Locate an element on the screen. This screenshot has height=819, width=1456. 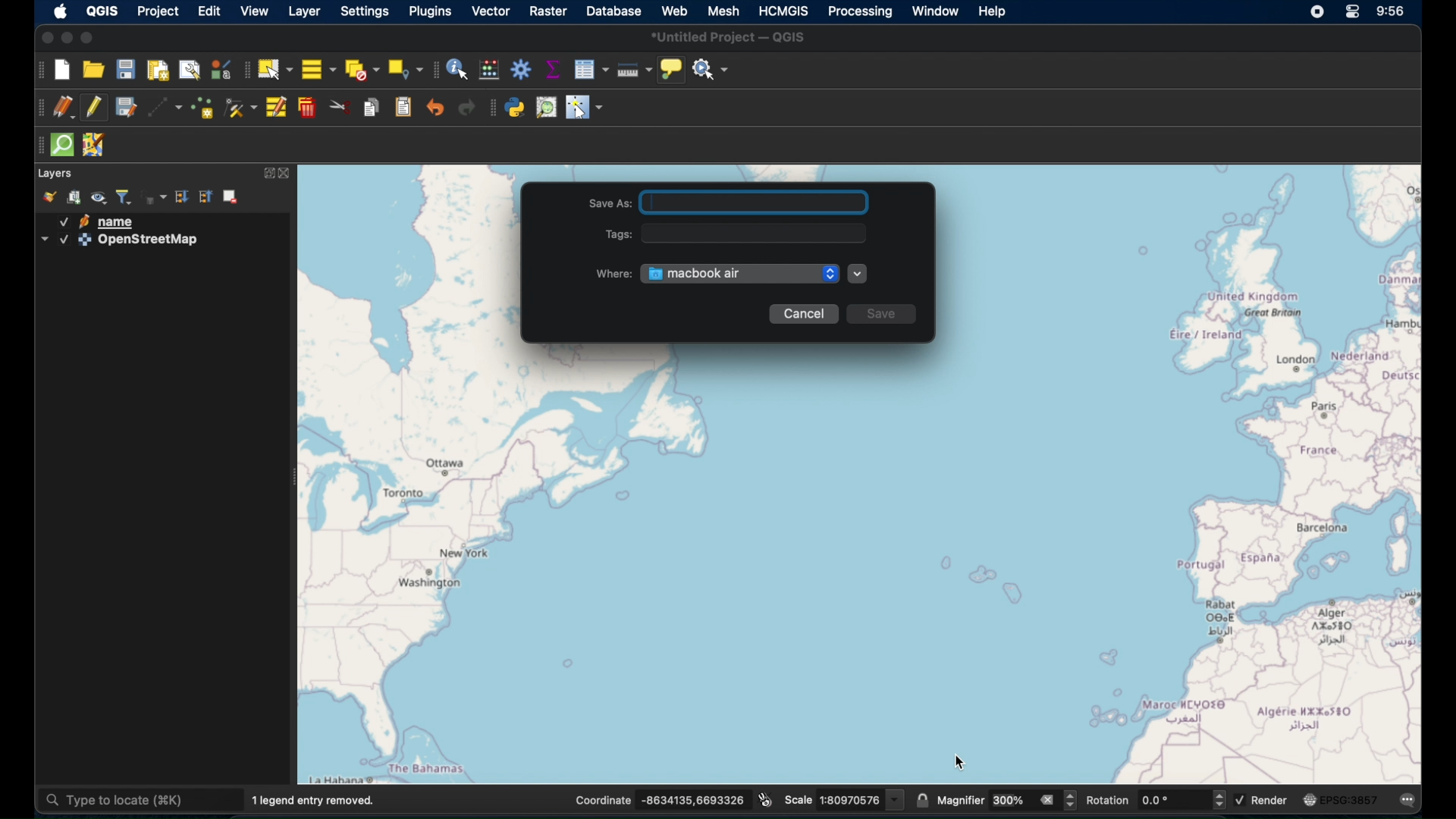
deselect features is located at coordinates (361, 70).